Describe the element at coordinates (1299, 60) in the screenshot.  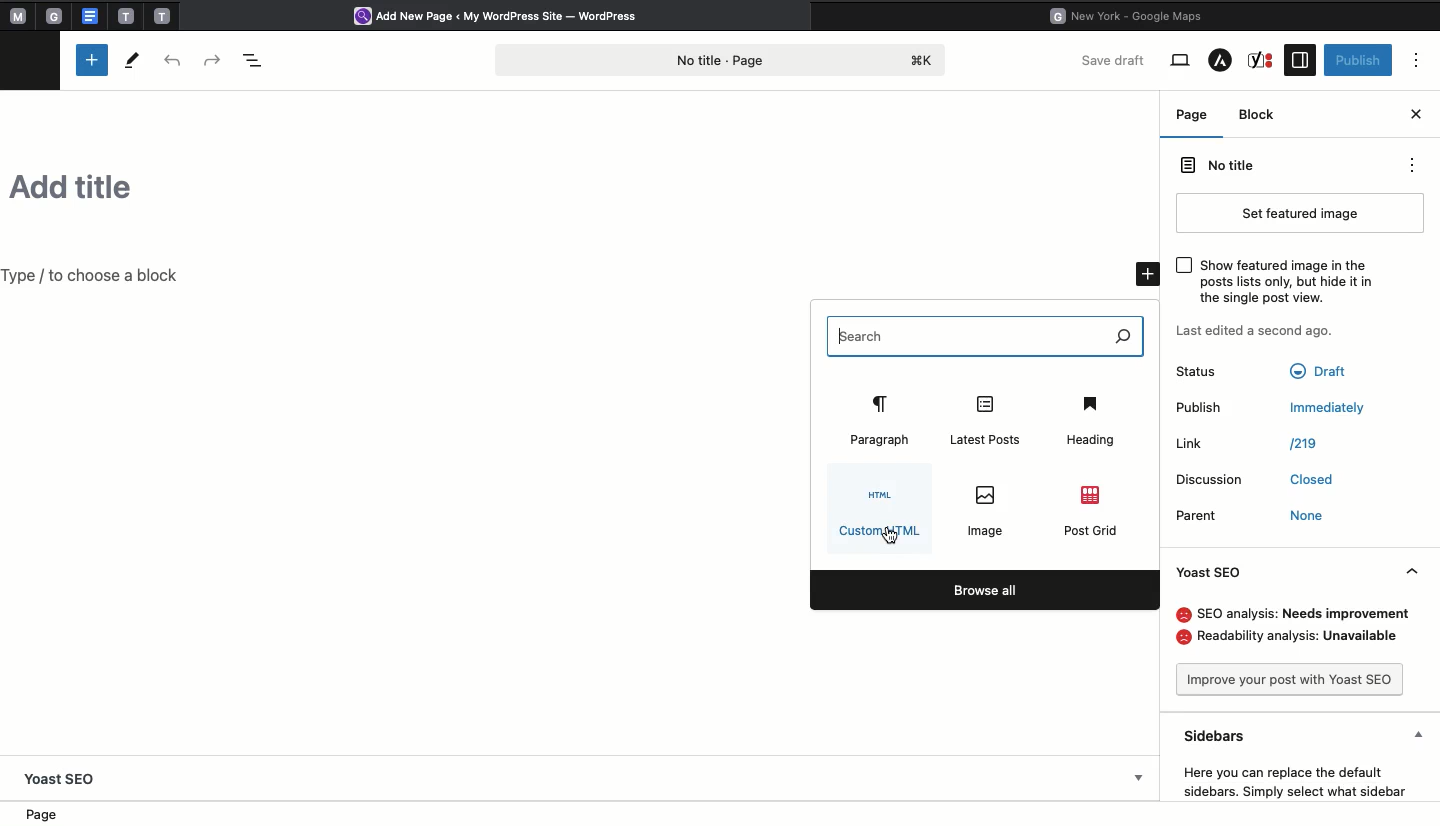
I see `Sidebar` at that location.